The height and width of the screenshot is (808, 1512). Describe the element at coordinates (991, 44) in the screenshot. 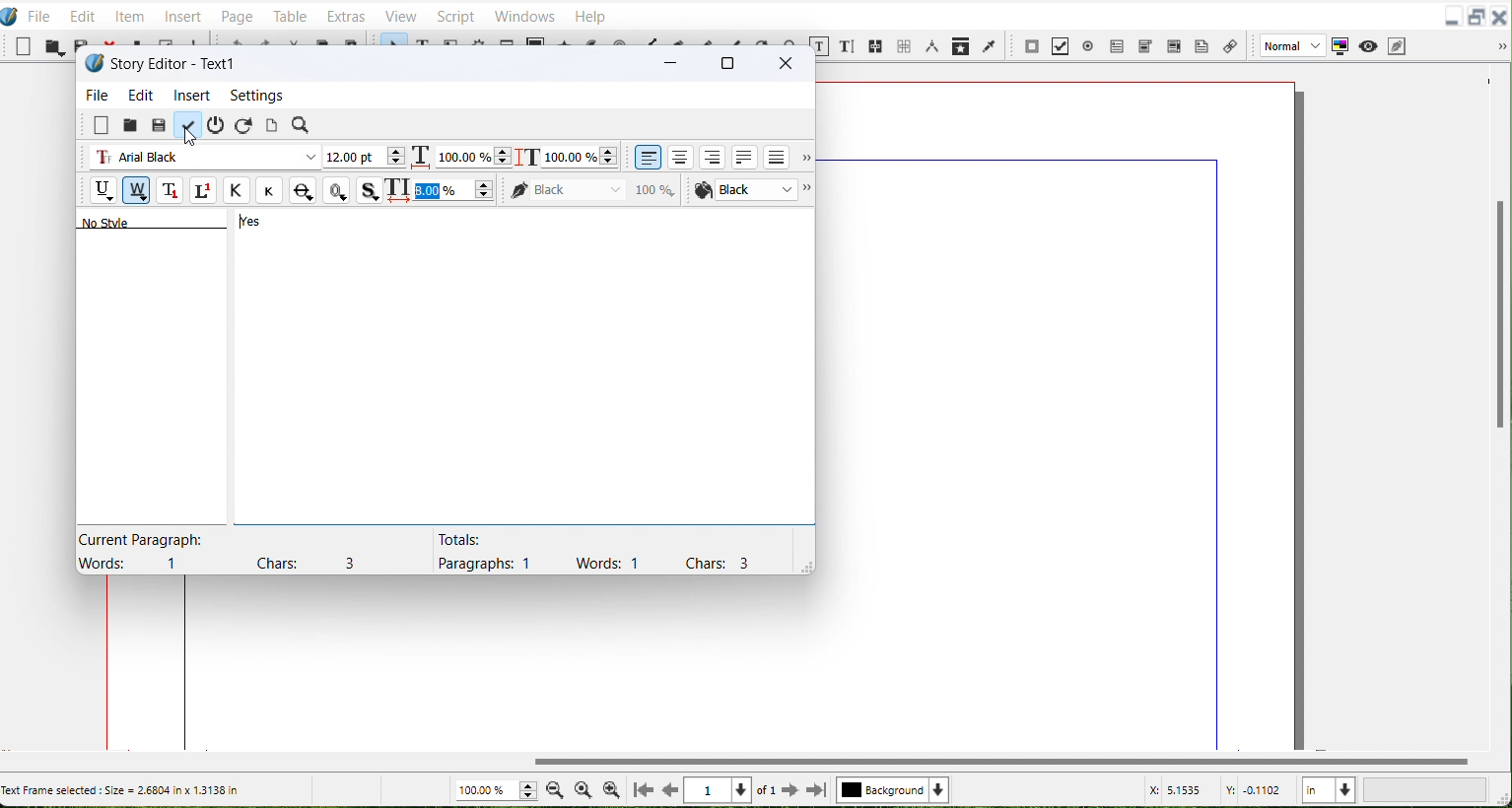

I see `Eye Dropper` at that location.